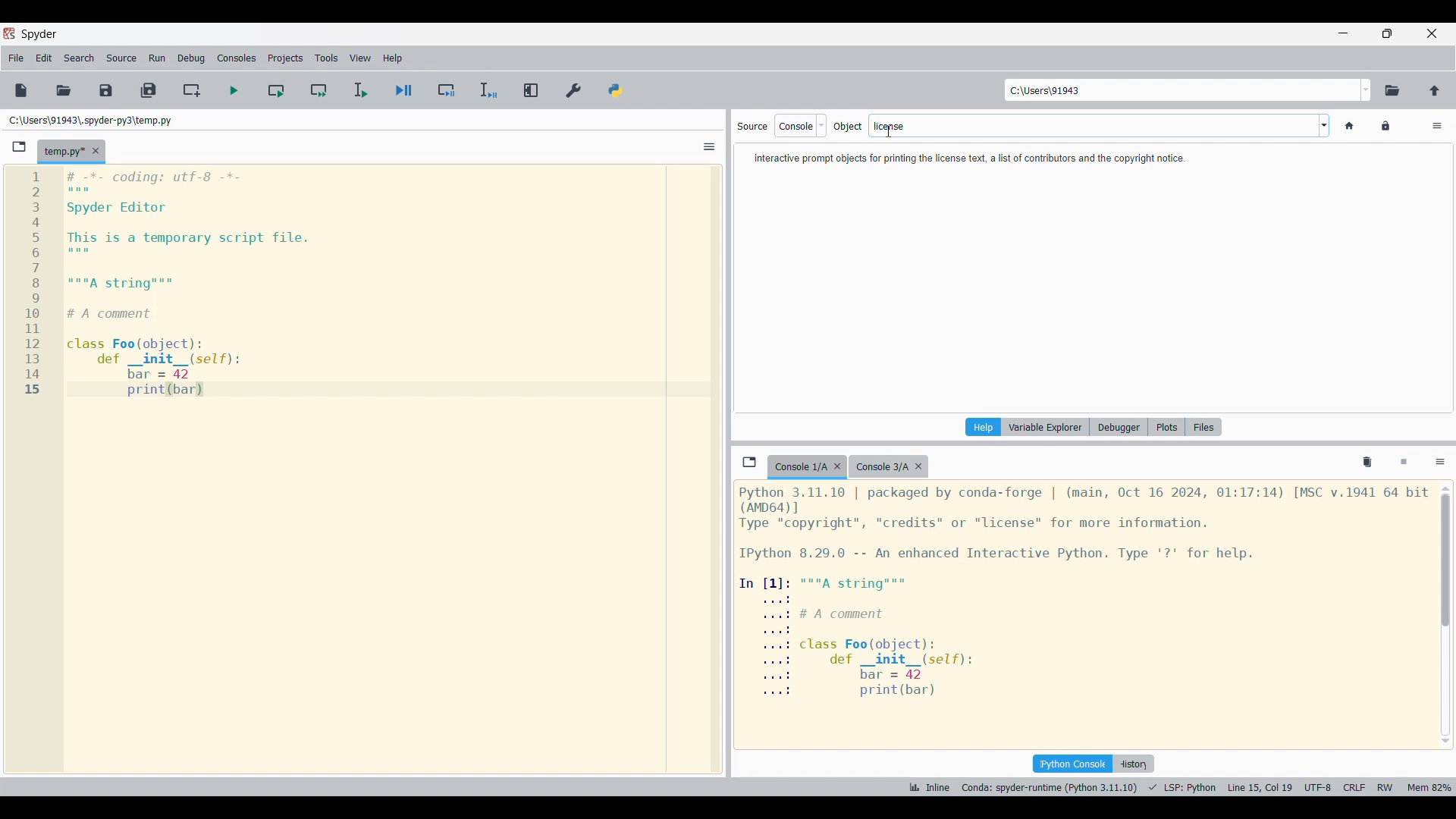 The width and height of the screenshot is (1456, 819). Describe the element at coordinates (1438, 126) in the screenshot. I see `Options` at that location.